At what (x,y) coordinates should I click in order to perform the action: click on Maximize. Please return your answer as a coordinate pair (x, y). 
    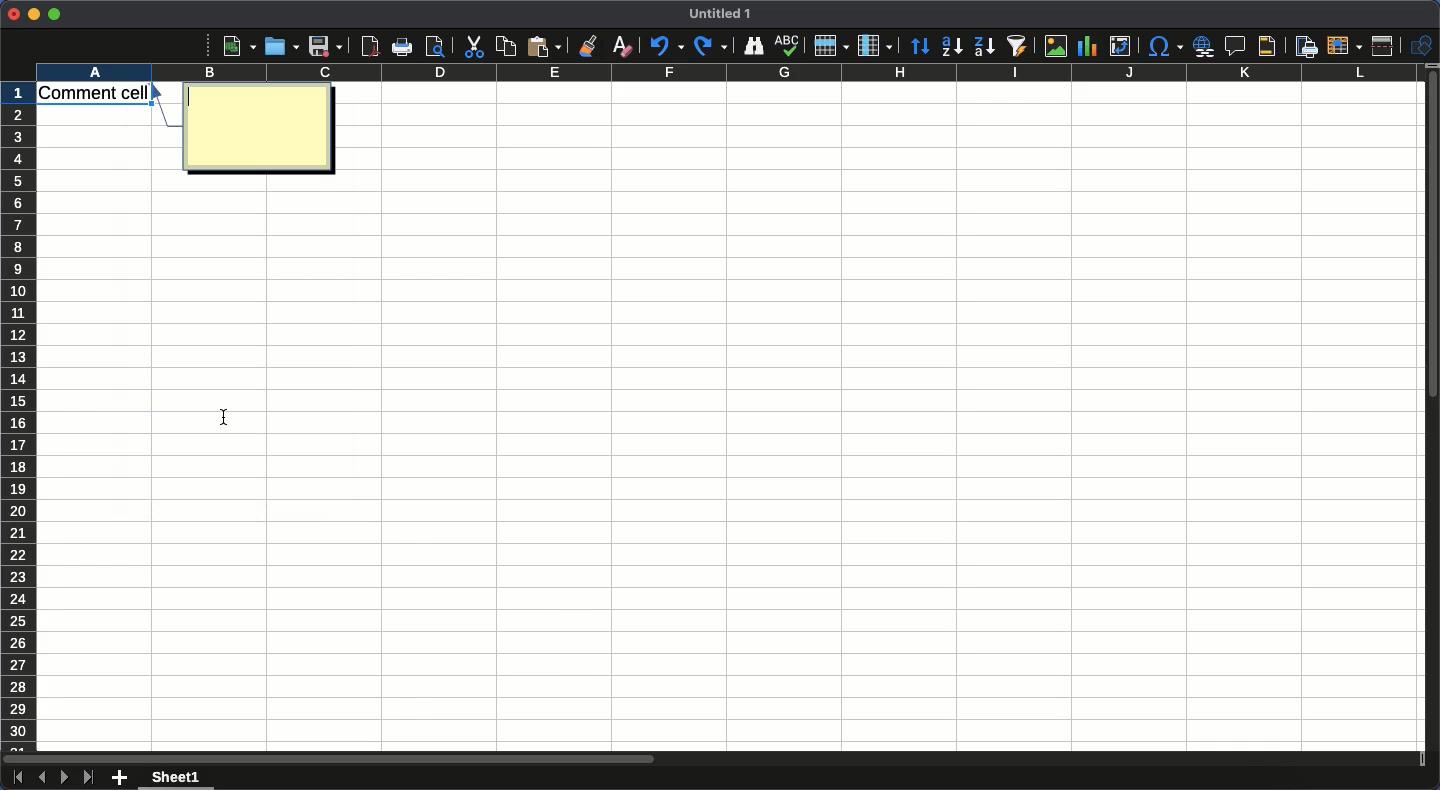
    Looking at the image, I should click on (58, 14).